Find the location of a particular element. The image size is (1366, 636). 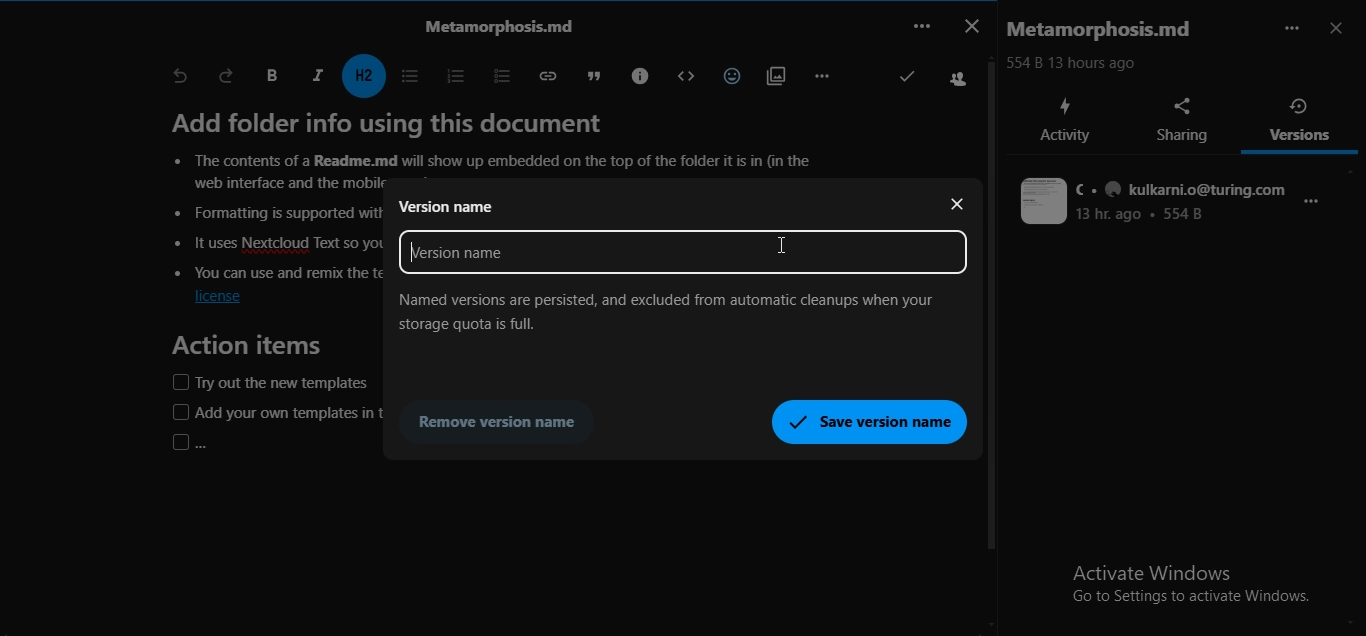

554 B 13 hours ago  is located at coordinates (1076, 63).